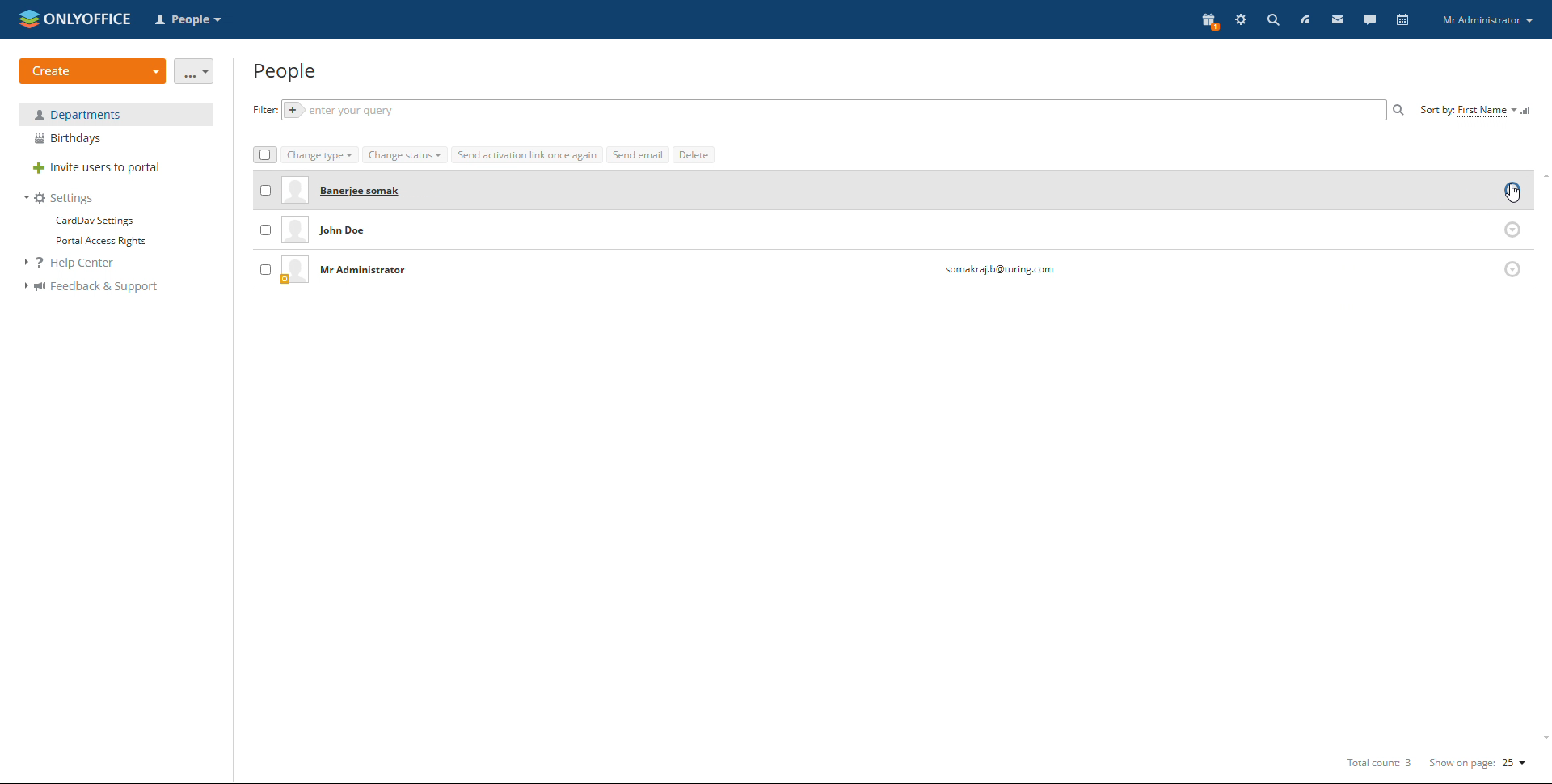  Describe the element at coordinates (91, 287) in the screenshot. I see `feedback and support` at that location.